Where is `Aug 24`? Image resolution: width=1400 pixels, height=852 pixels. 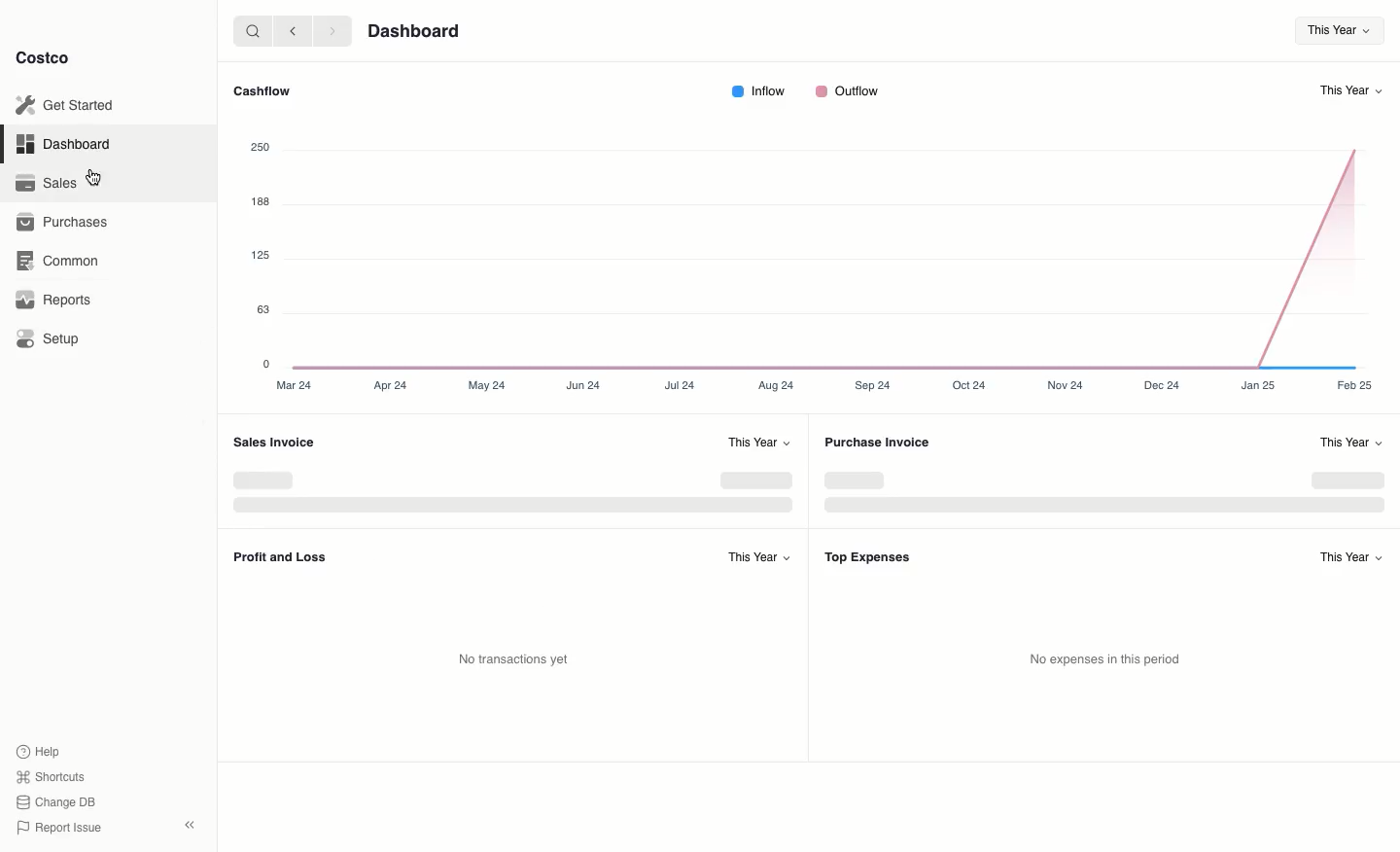 Aug 24 is located at coordinates (774, 385).